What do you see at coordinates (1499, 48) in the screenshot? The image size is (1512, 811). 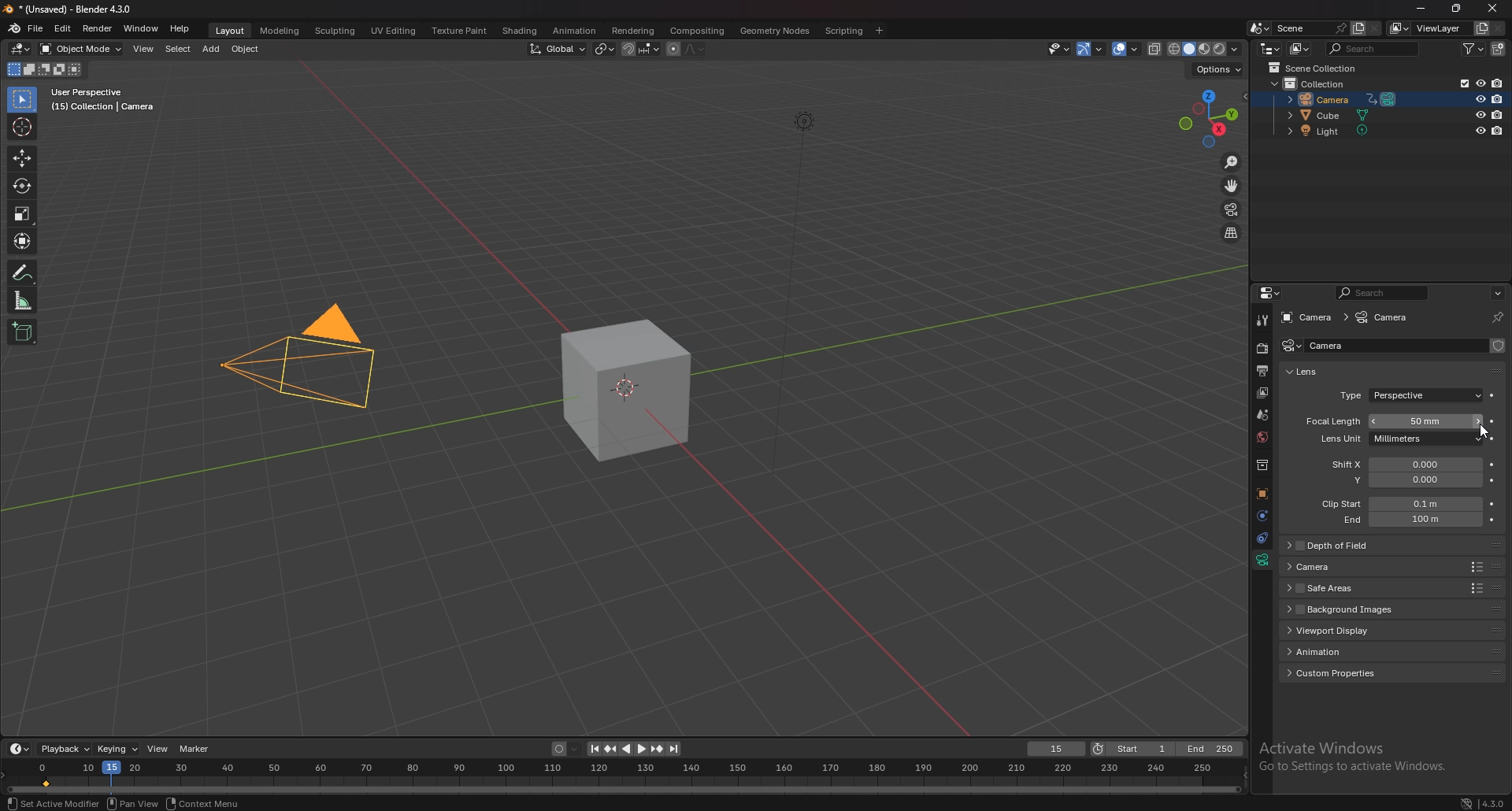 I see `add collection` at bounding box center [1499, 48].